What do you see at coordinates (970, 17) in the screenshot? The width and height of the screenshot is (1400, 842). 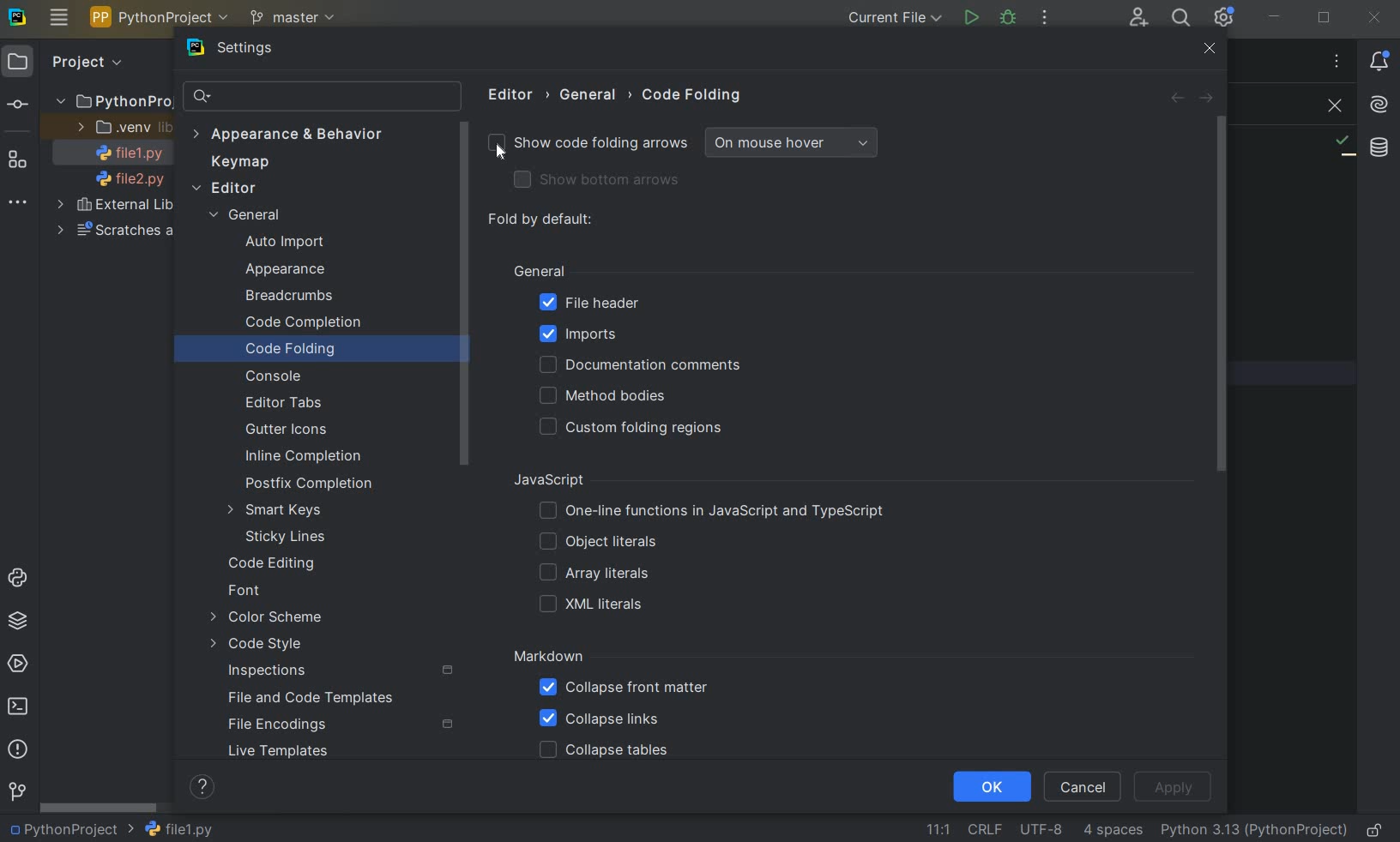 I see `RUN` at bounding box center [970, 17].